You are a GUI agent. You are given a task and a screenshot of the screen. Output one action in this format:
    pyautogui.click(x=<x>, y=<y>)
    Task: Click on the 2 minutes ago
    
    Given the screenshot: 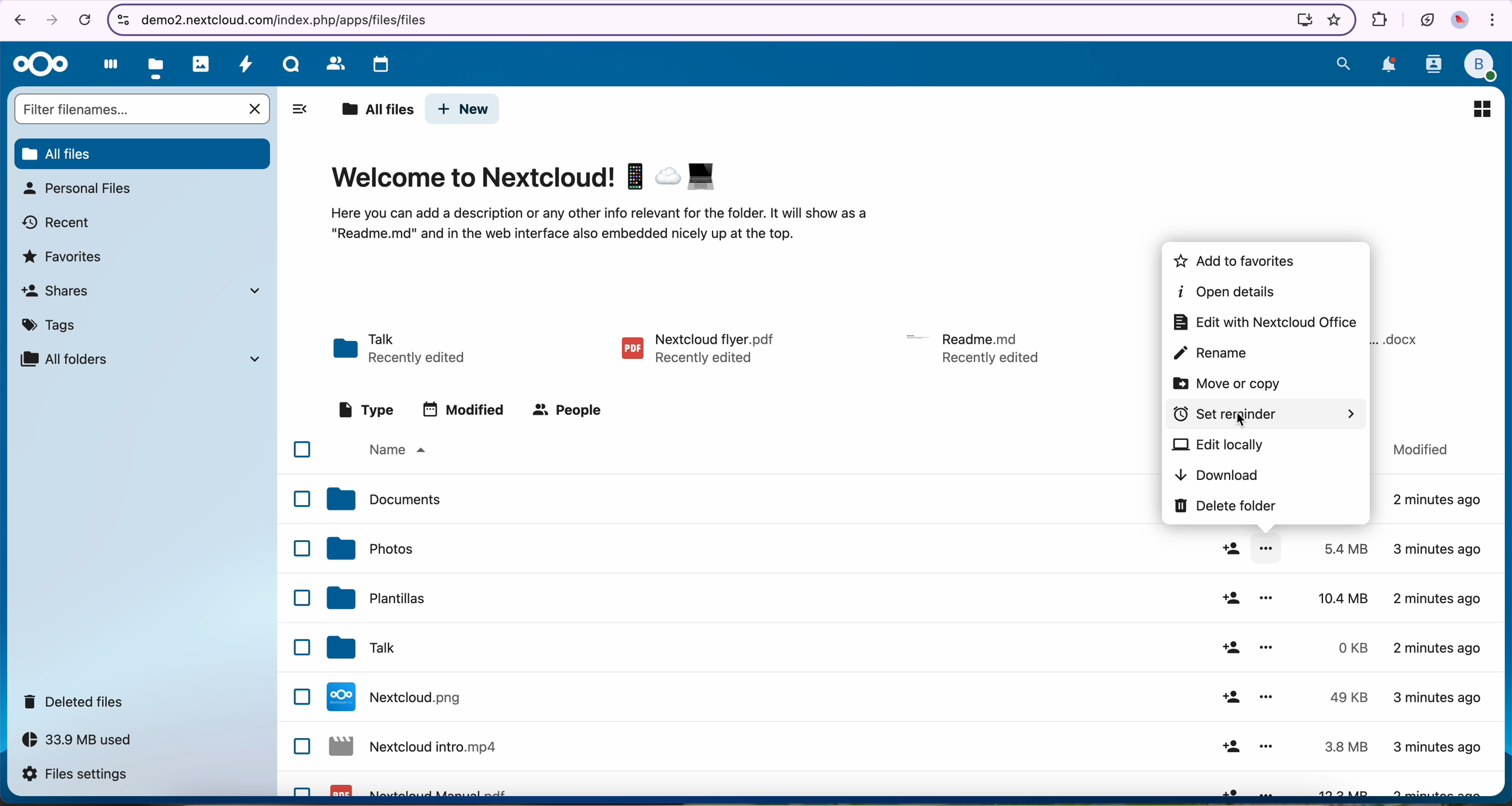 What is the action you would take?
    pyautogui.click(x=1440, y=597)
    